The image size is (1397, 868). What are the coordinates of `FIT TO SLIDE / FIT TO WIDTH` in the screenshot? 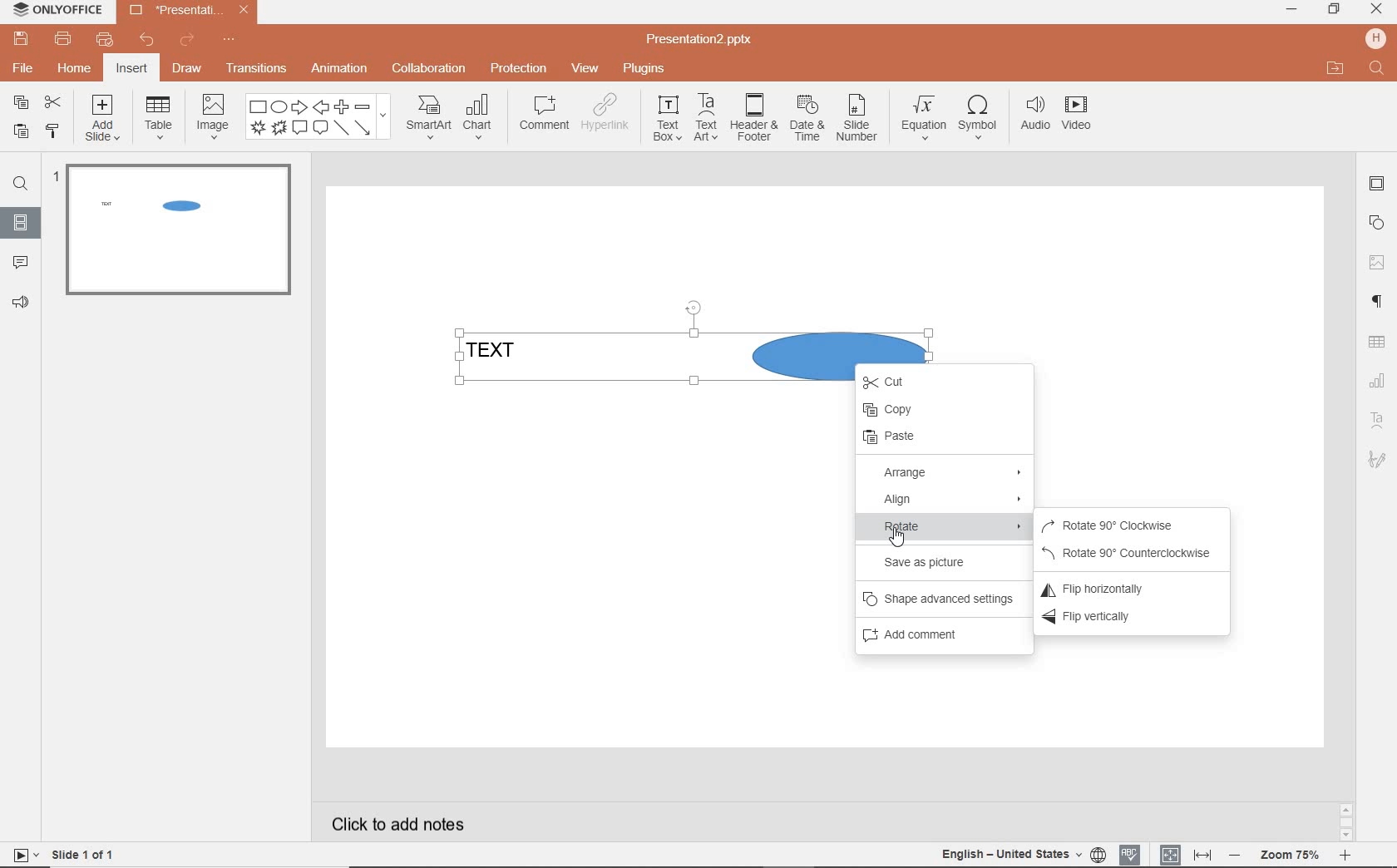 It's located at (1187, 853).